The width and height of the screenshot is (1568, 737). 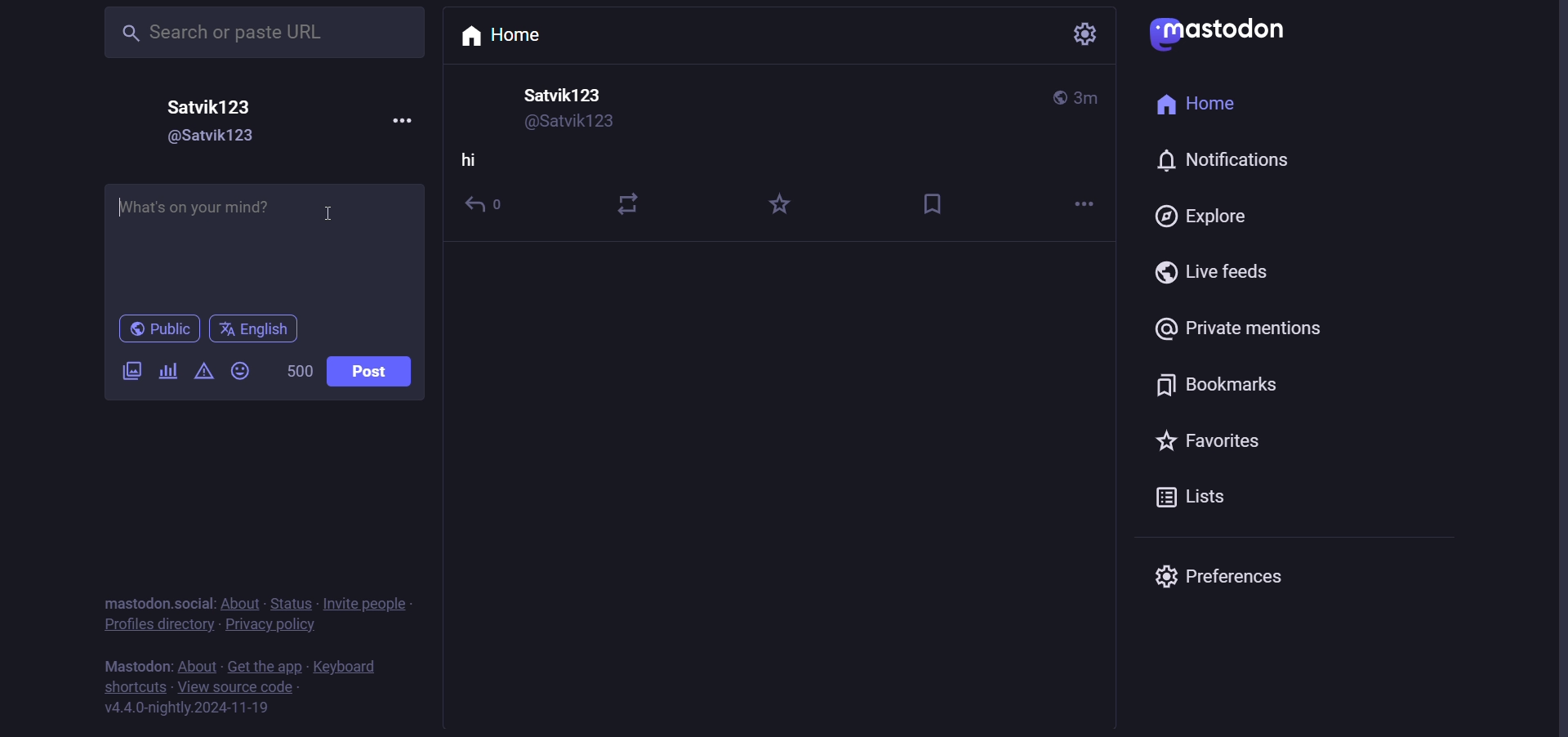 What do you see at coordinates (1219, 573) in the screenshot?
I see `preferences` at bounding box center [1219, 573].